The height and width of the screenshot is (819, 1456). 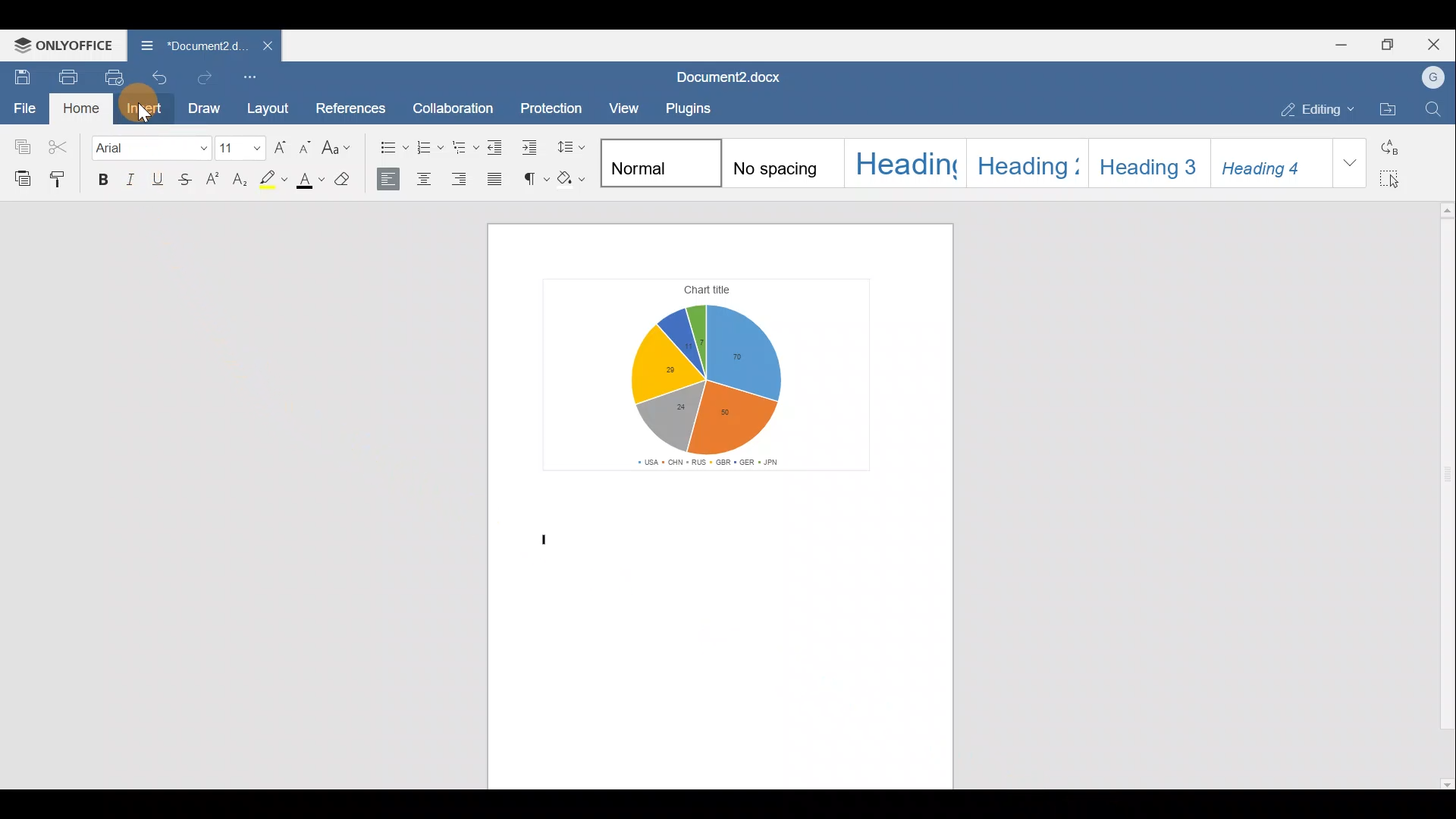 What do you see at coordinates (428, 179) in the screenshot?
I see `Align center` at bounding box center [428, 179].